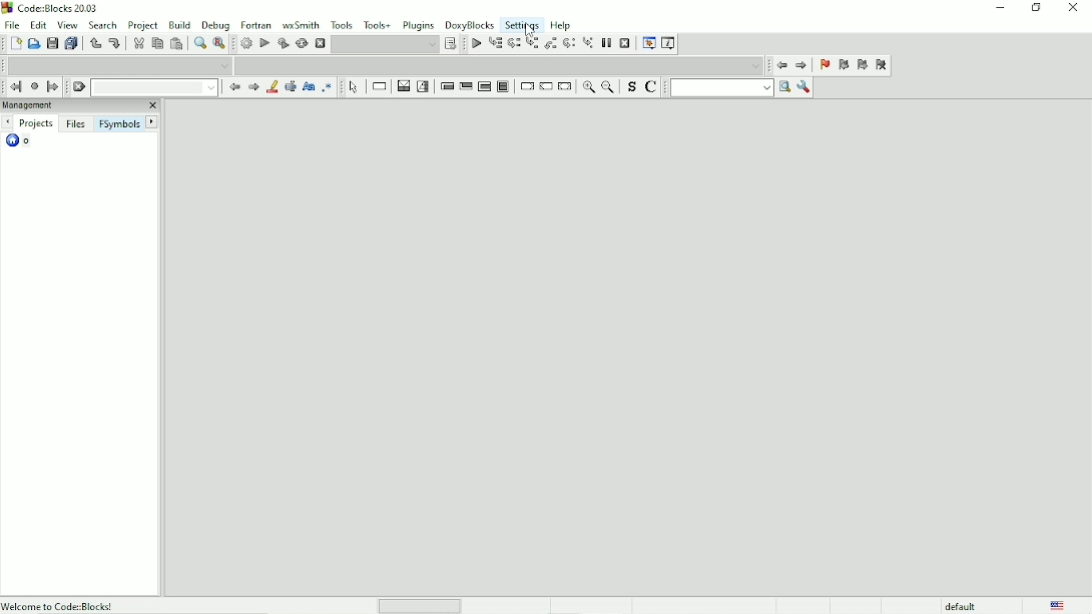  Describe the element at coordinates (7, 122) in the screenshot. I see `Prev` at that location.